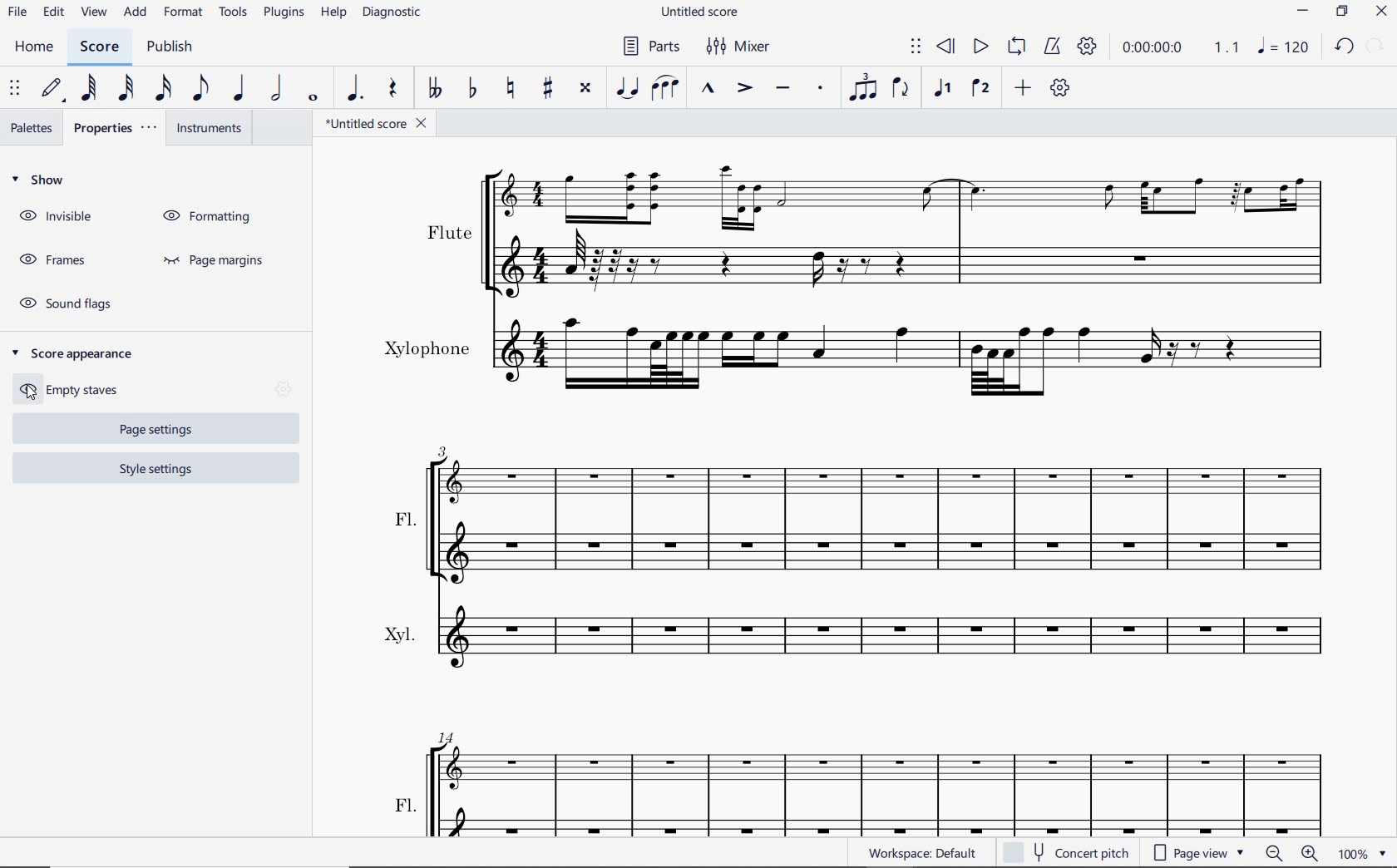 The width and height of the screenshot is (1397, 868). I want to click on Fl., so click(866, 505).